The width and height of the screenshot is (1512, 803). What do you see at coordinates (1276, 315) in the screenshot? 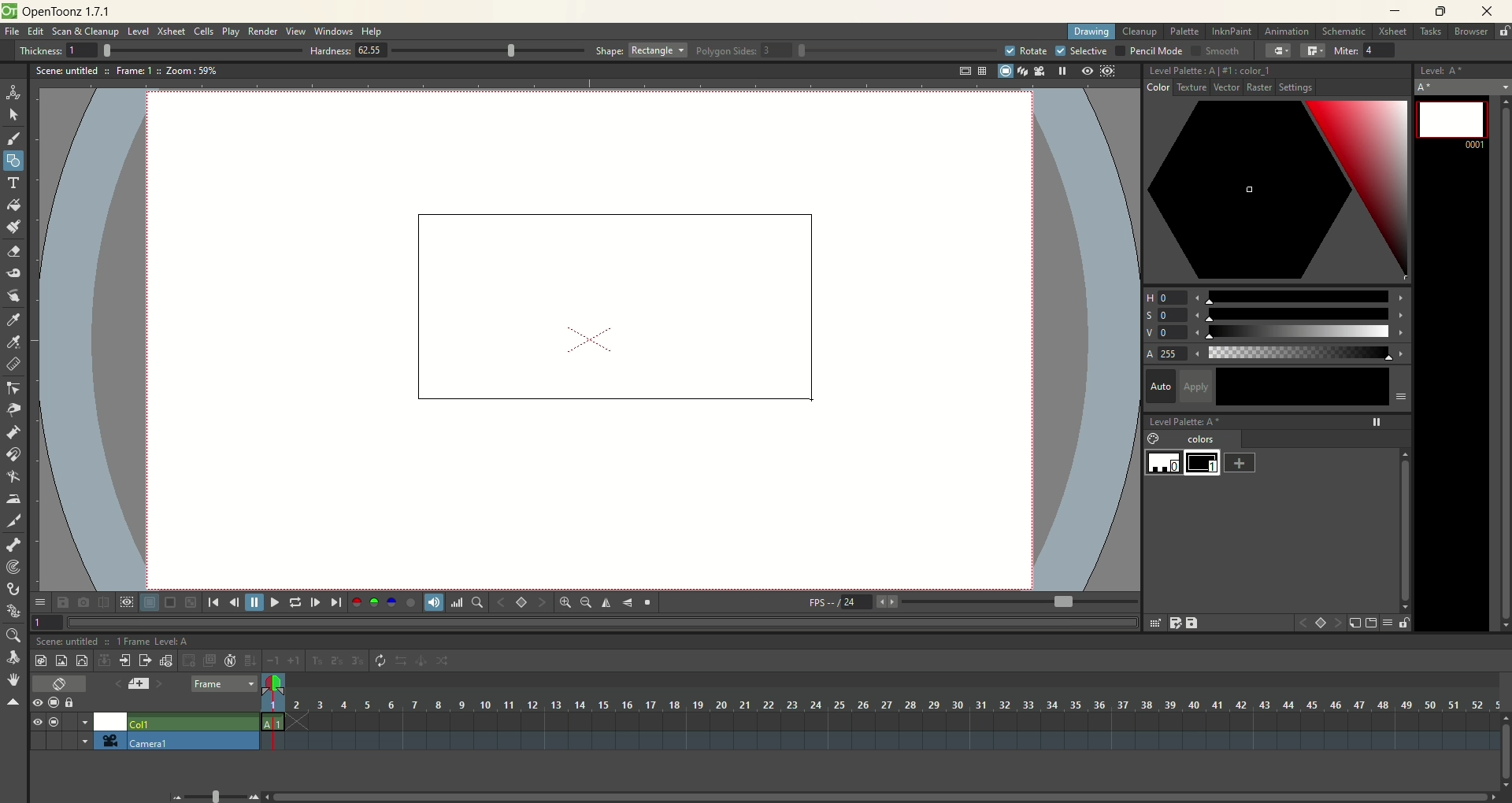
I see `saturation` at bounding box center [1276, 315].